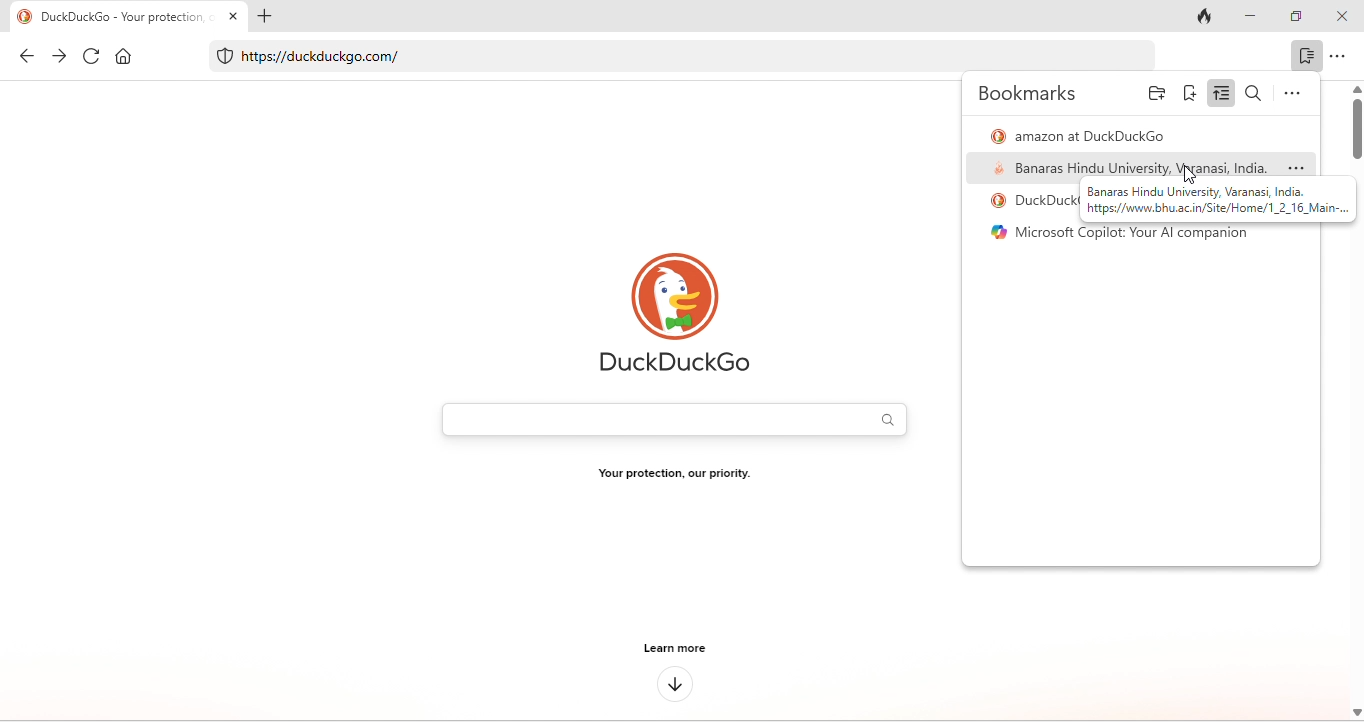 The image size is (1364, 722). What do you see at coordinates (87, 58) in the screenshot?
I see `refresh` at bounding box center [87, 58].